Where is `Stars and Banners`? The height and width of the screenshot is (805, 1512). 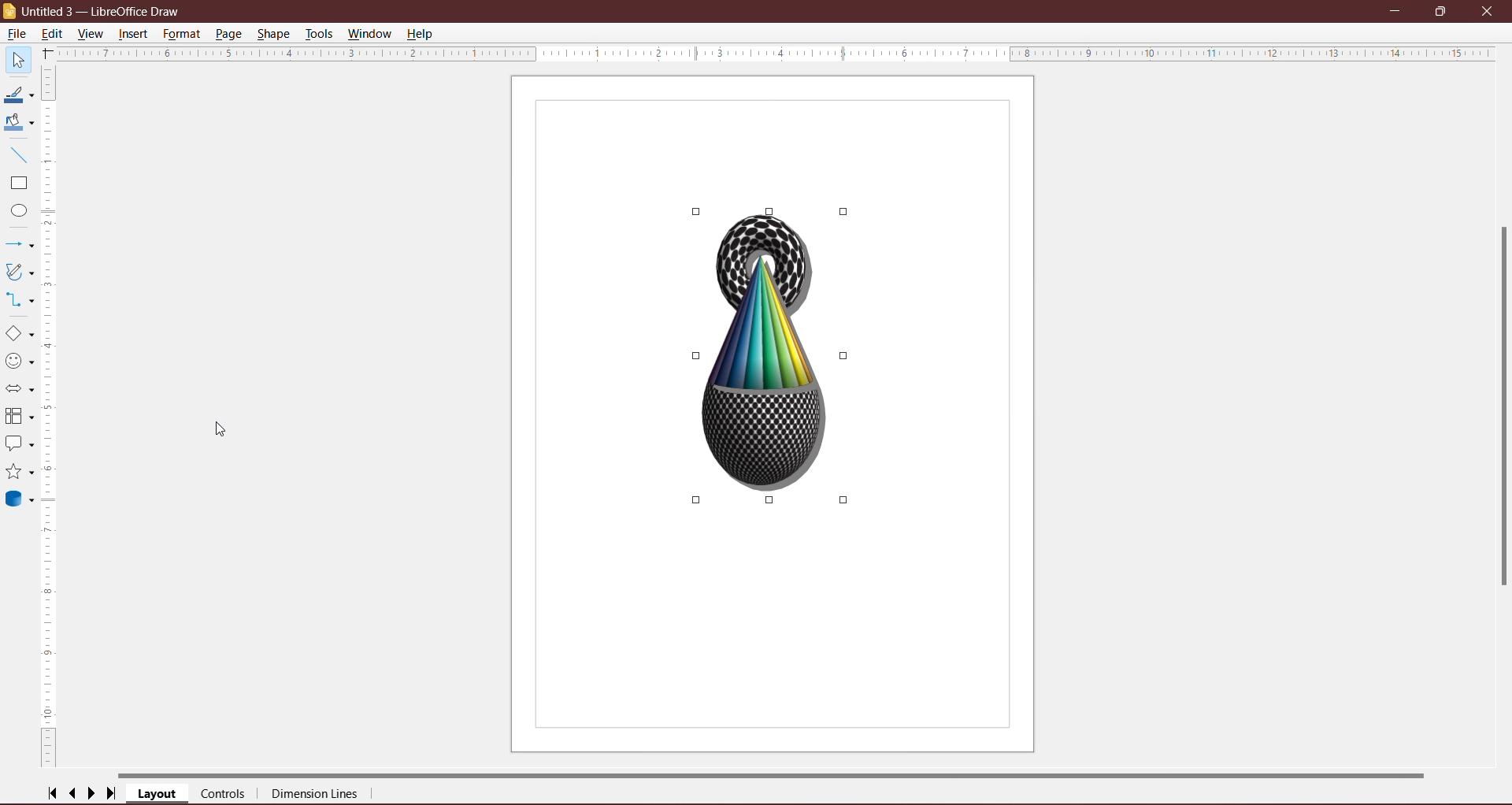
Stars and Banners is located at coordinates (20, 472).